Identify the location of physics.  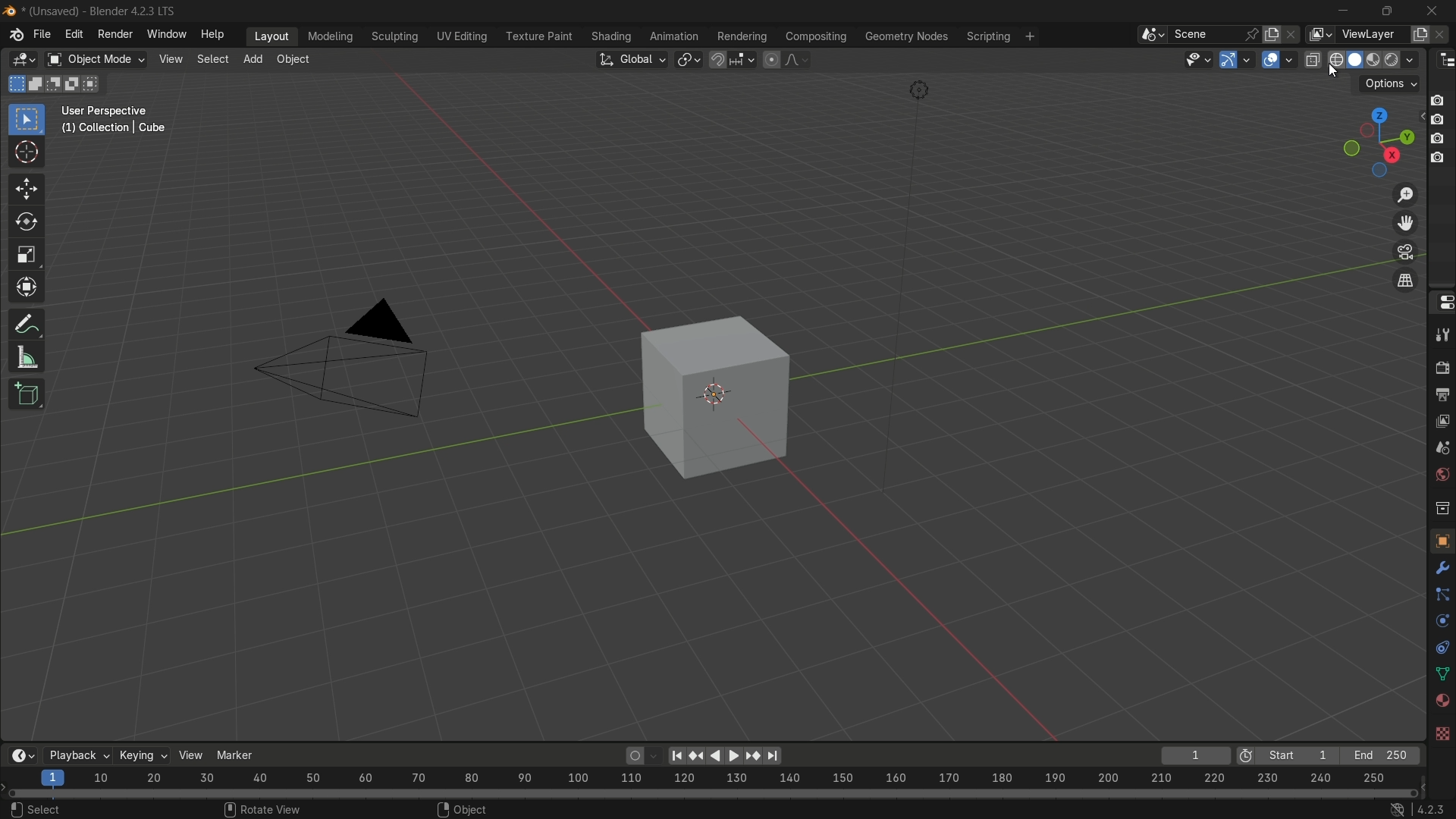
(1442, 619).